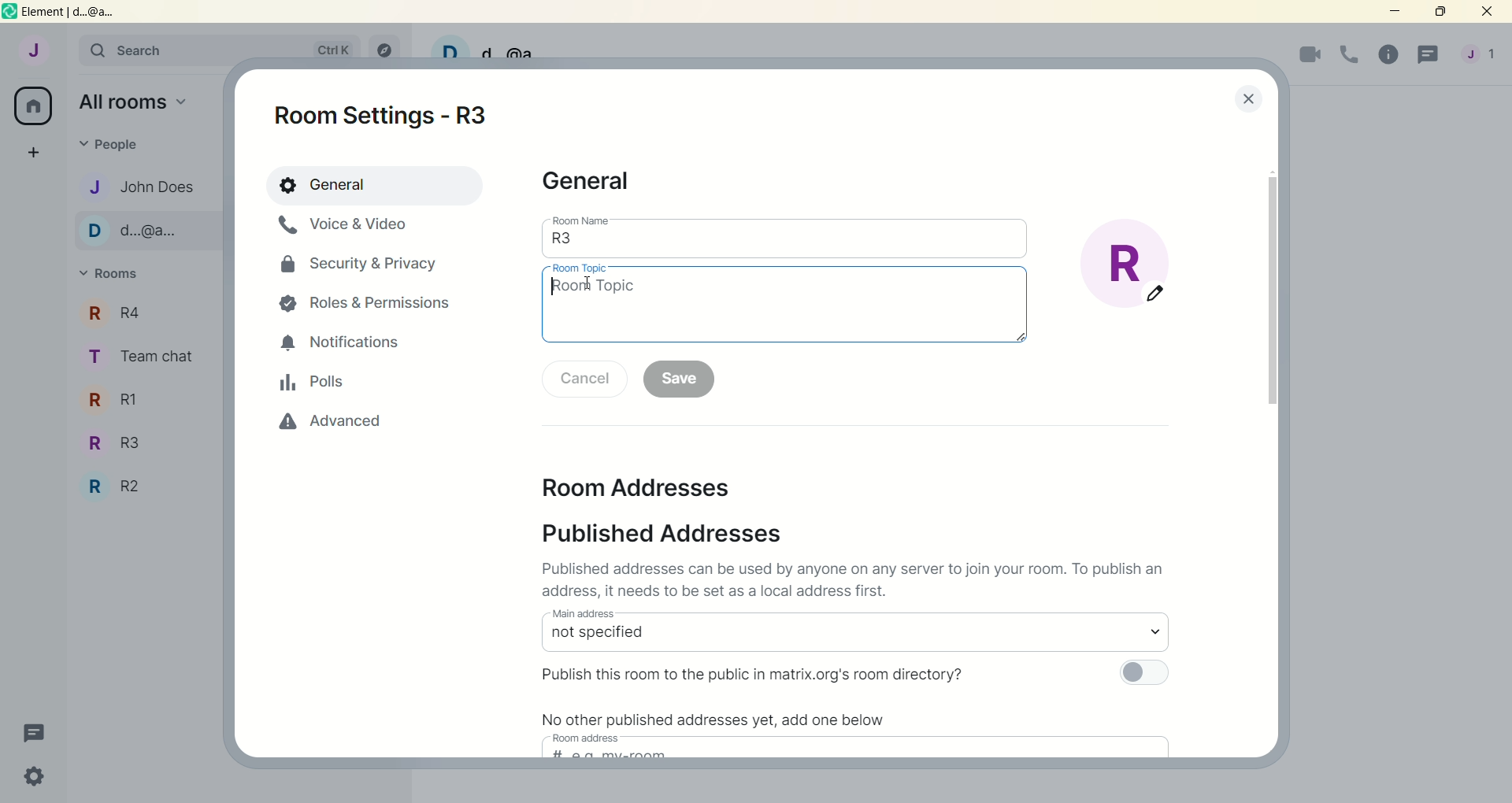 The width and height of the screenshot is (1512, 803). I want to click on scroll up, so click(1271, 170).